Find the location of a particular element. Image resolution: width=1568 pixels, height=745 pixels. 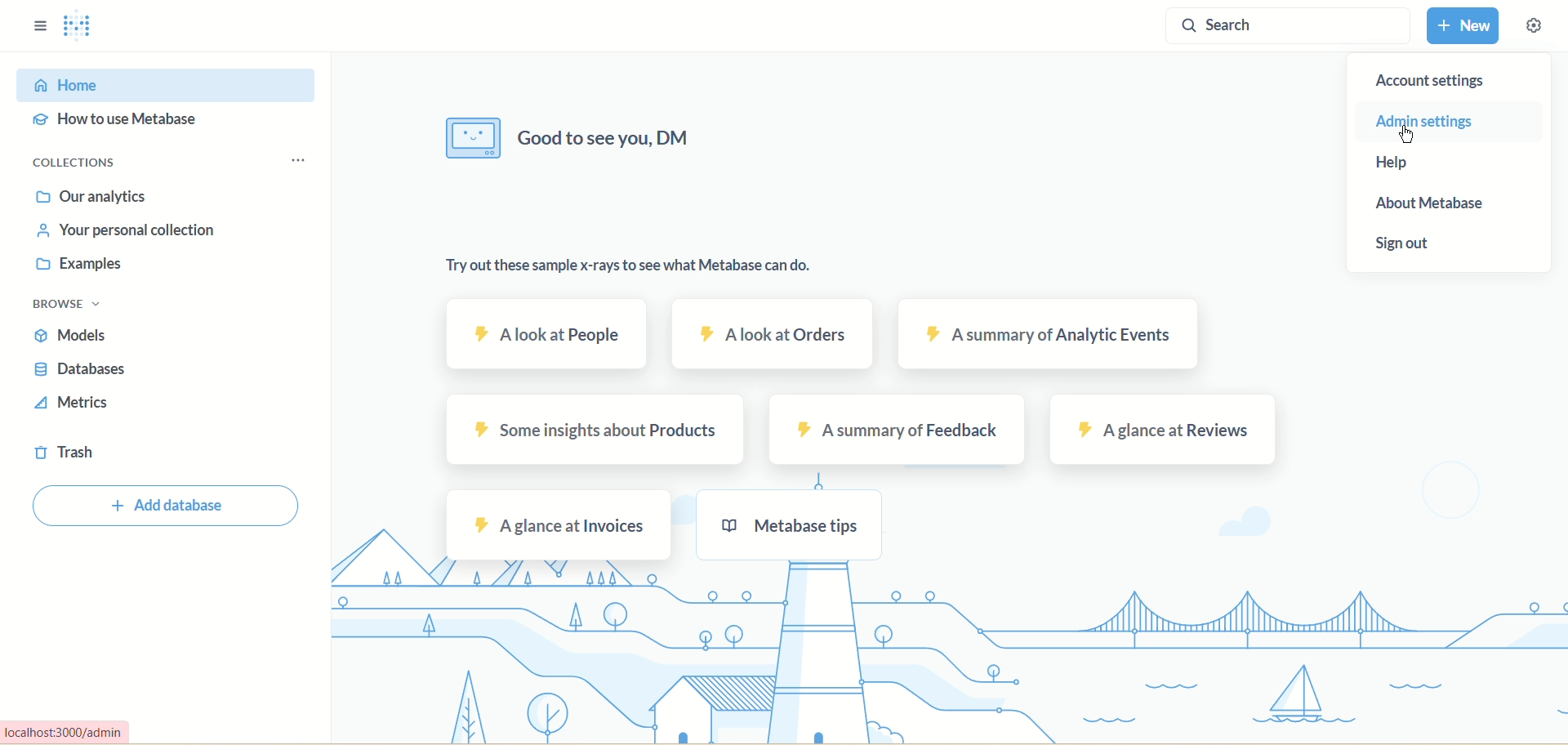

your personal collection is located at coordinates (126, 229).